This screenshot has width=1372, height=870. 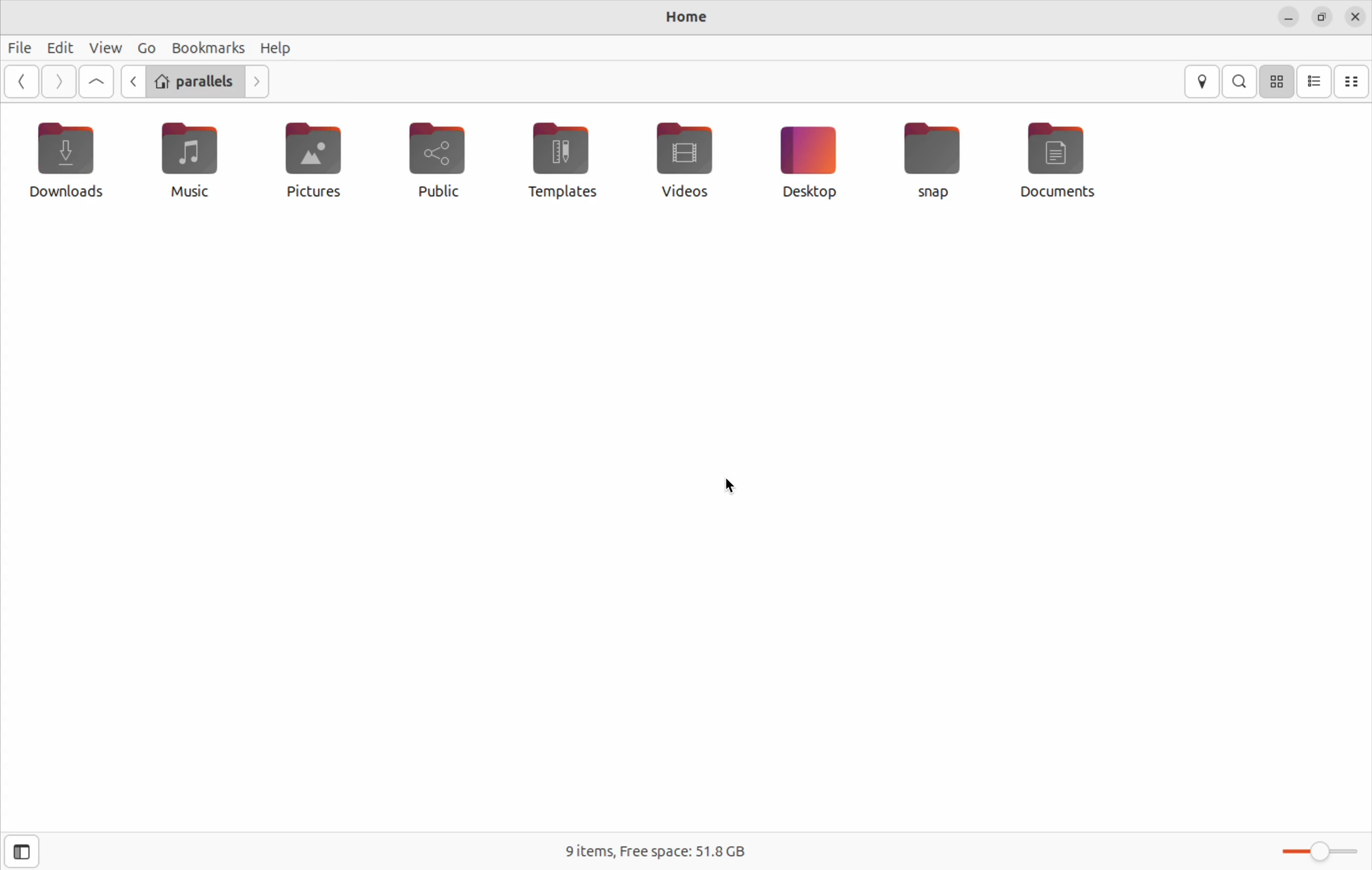 I want to click on cursor, so click(x=734, y=486).